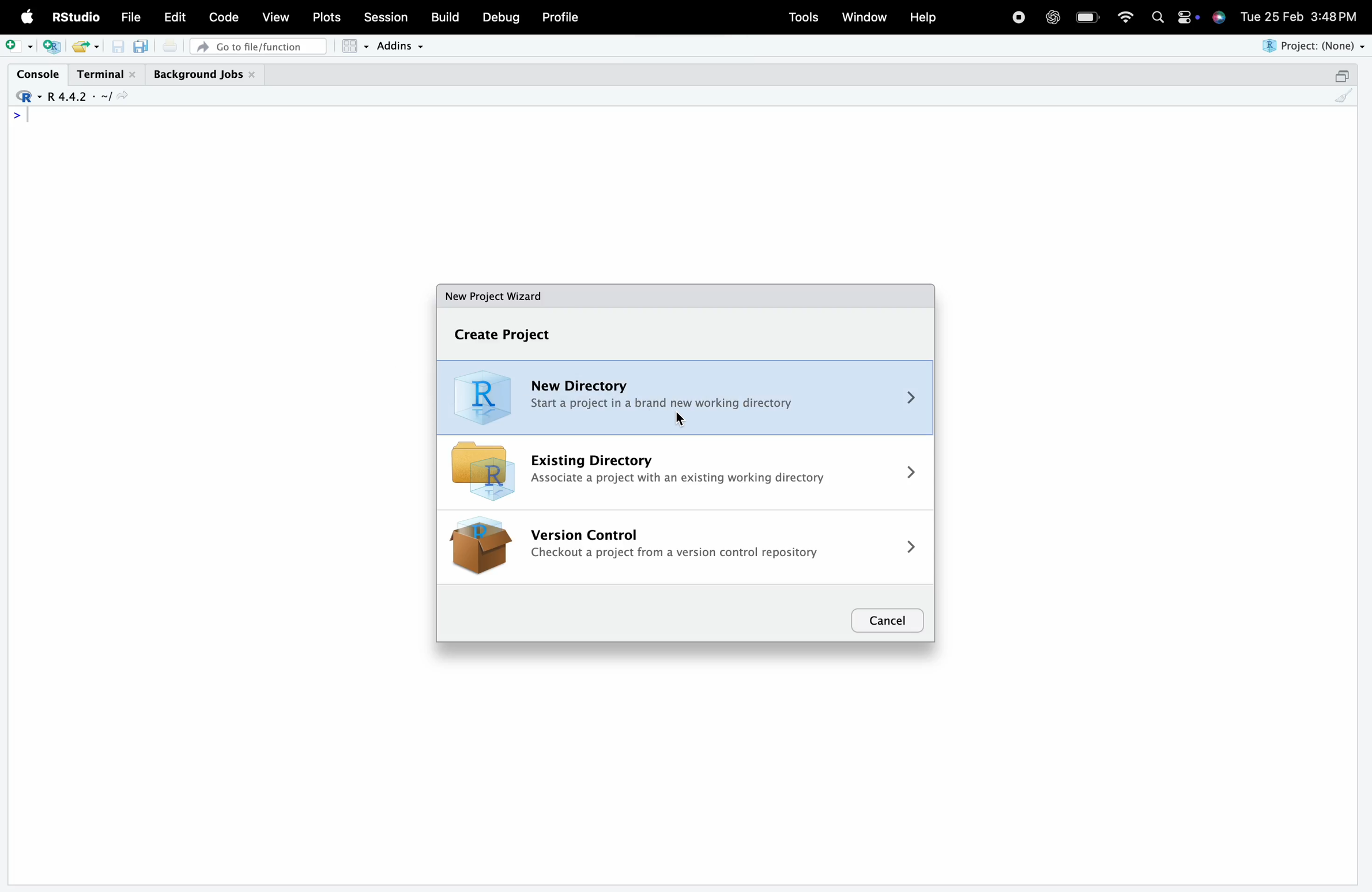 The width and height of the screenshot is (1372, 892). I want to click on Tue 25 Feb, so click(1271, 15).